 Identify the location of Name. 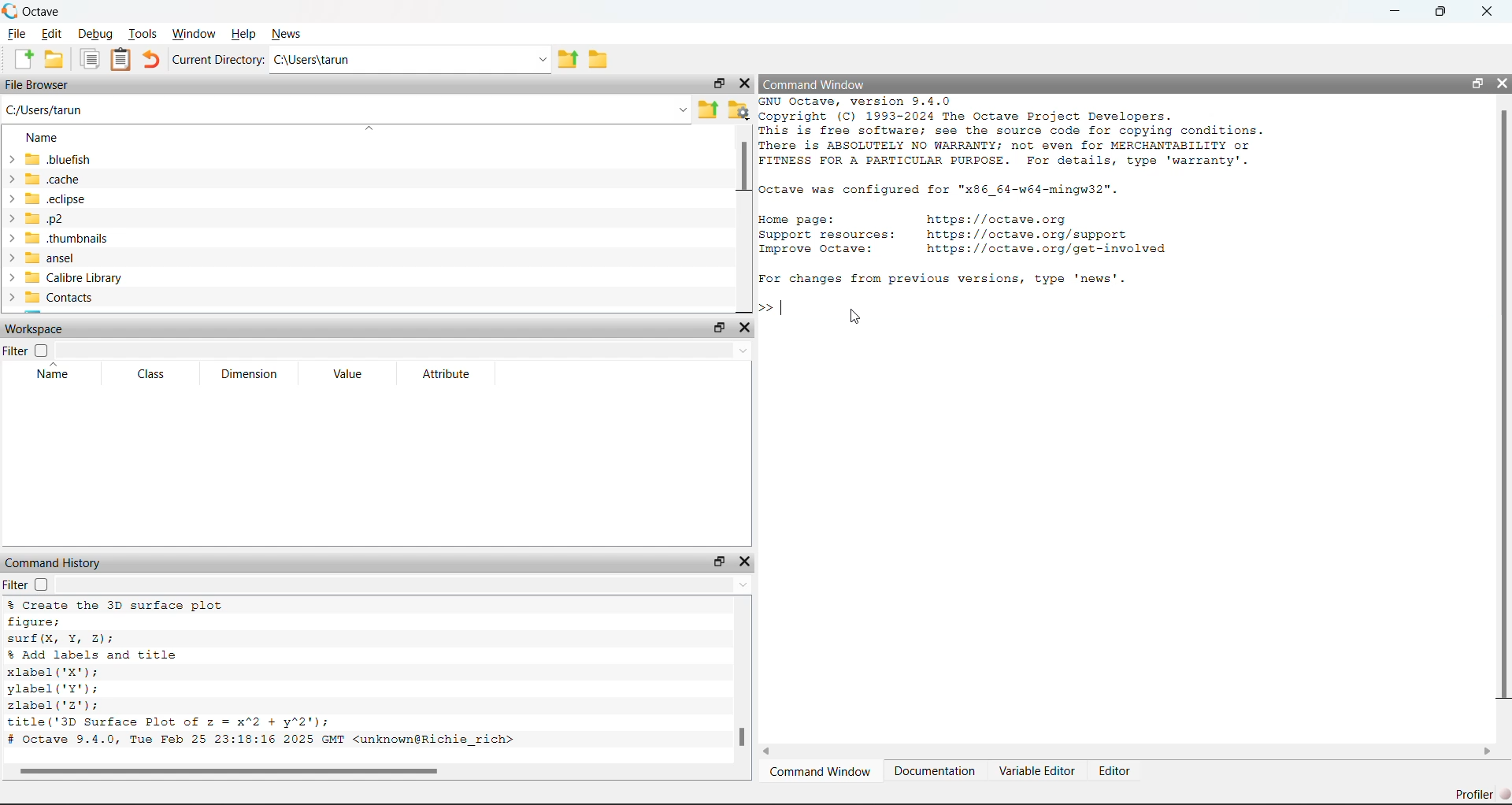
(53, 373).